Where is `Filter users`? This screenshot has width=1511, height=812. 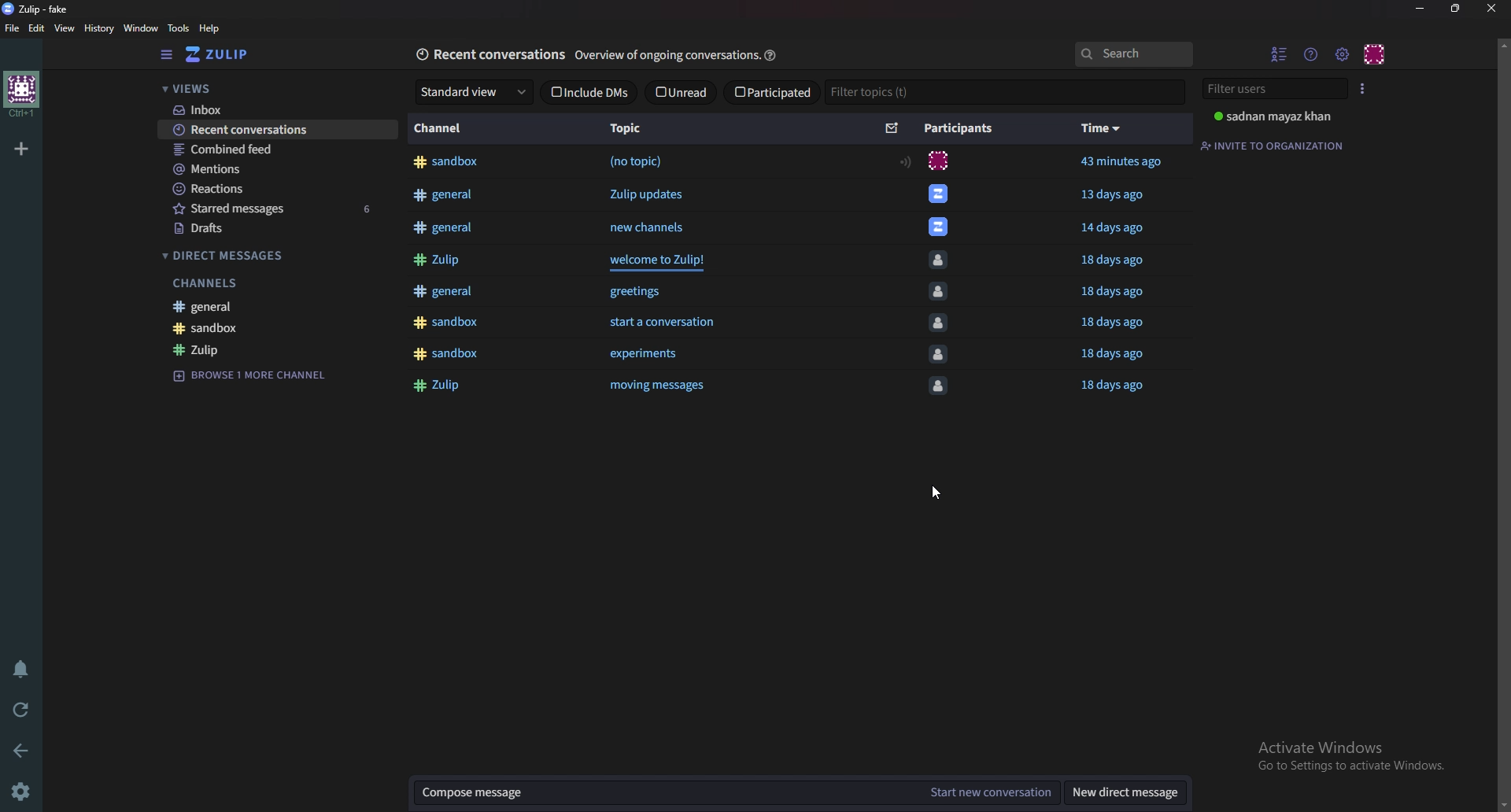 Filter users is located at coordinates (1276, 87).